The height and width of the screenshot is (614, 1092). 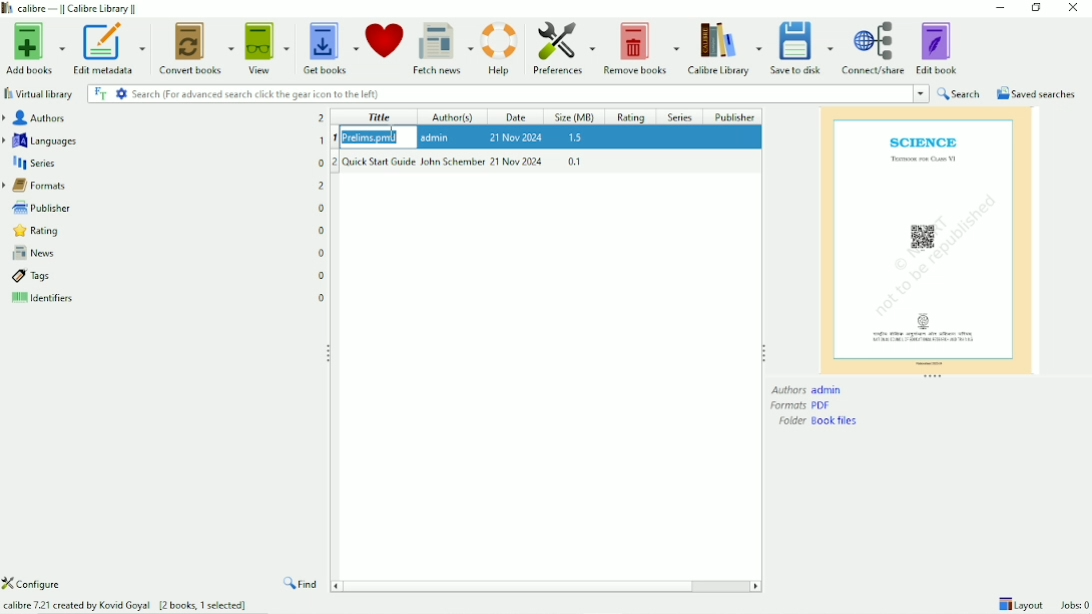 I want to click on Publisher, so click(x=38, y=206).